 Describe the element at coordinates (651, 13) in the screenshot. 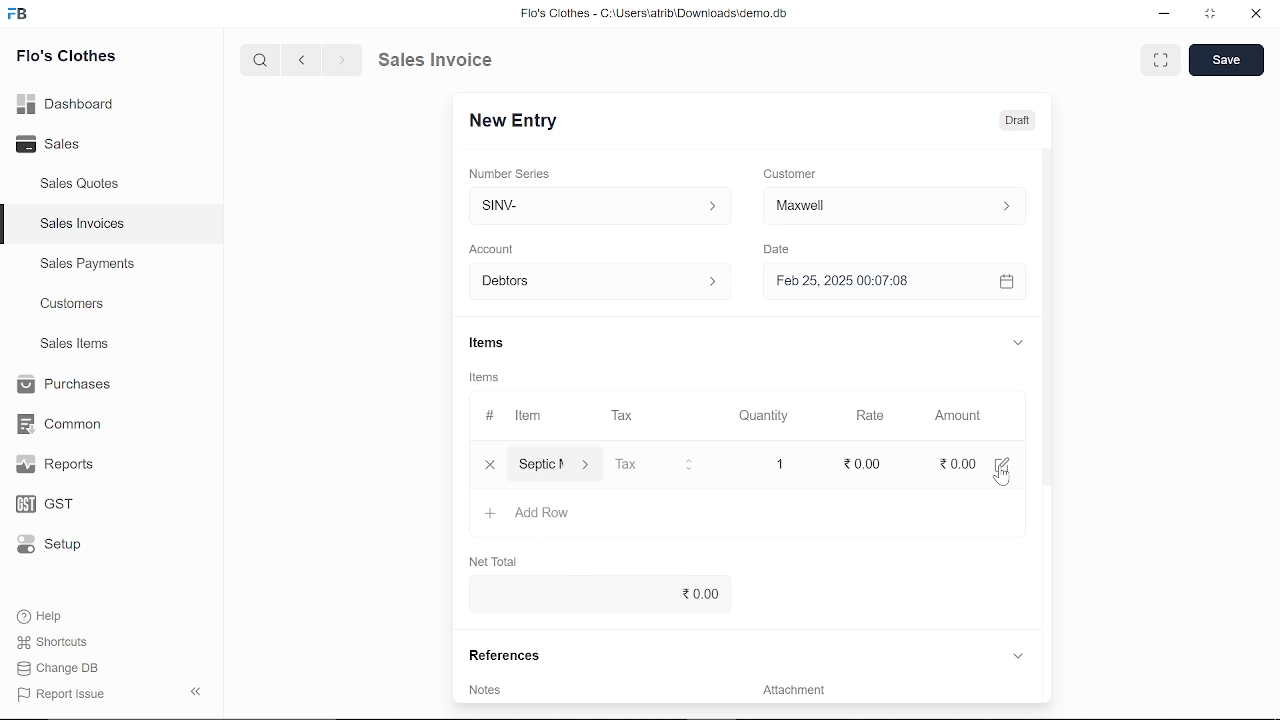

I see `Flo's Clothes - G:AUserslatribiDownloadsidemo.do` at that location.